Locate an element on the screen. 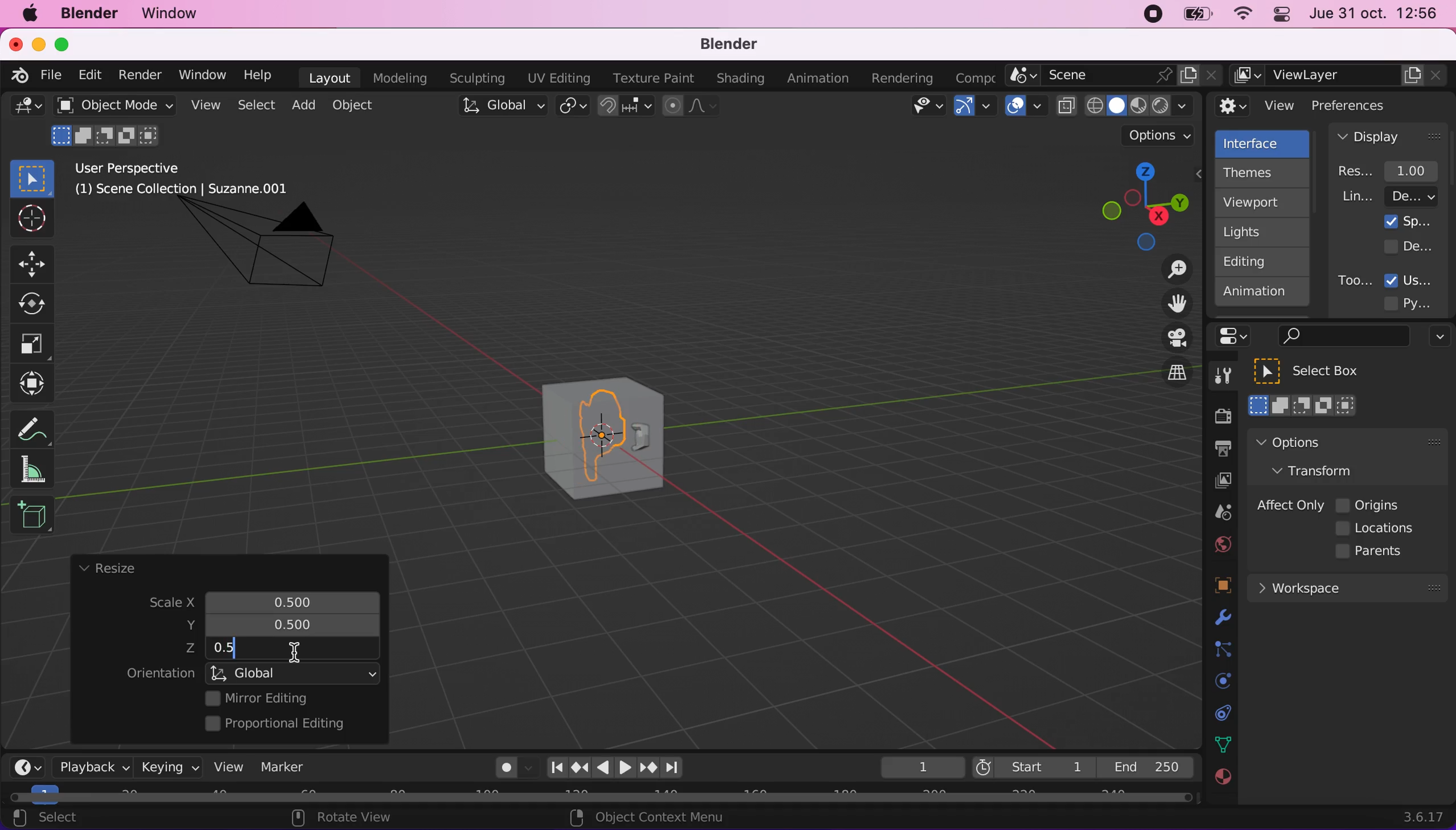 This screenshot has width=1456, height=830. transform is located at coordinates (1324, 470).